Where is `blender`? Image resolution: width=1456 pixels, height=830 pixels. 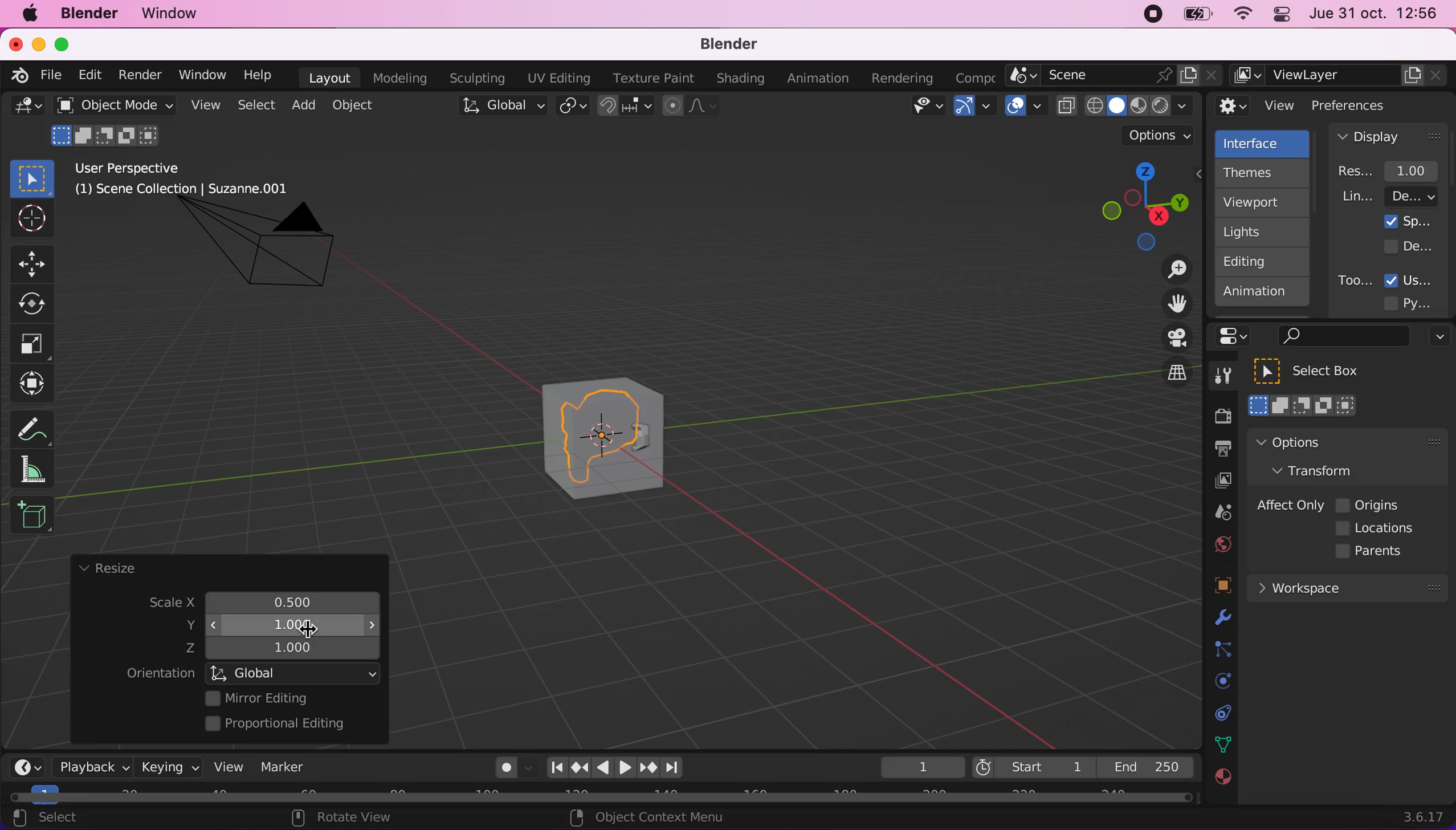 blender is located at coordinates (15, 74).